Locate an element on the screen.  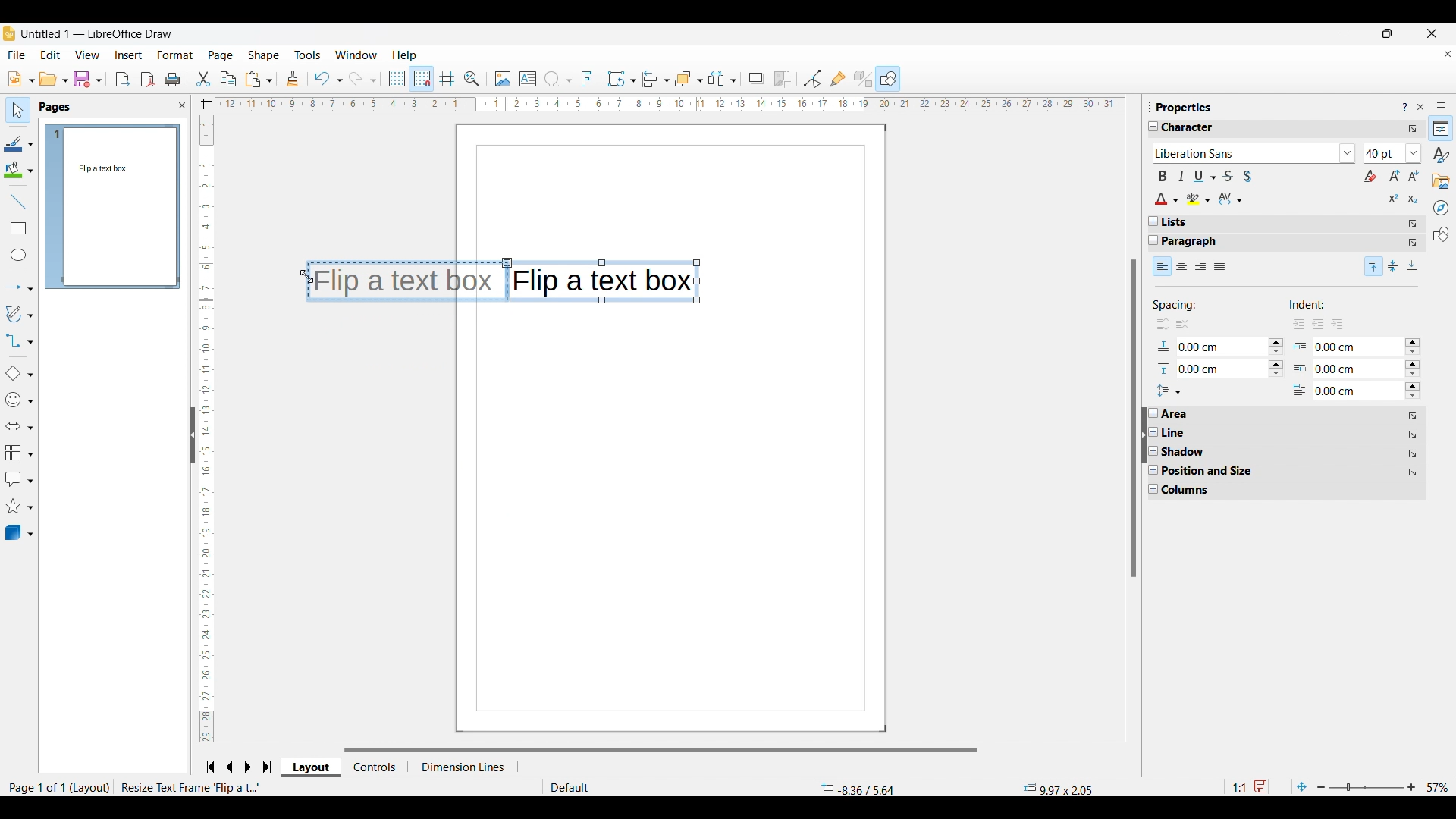
3D object options  is located at coordinates (20, 532).